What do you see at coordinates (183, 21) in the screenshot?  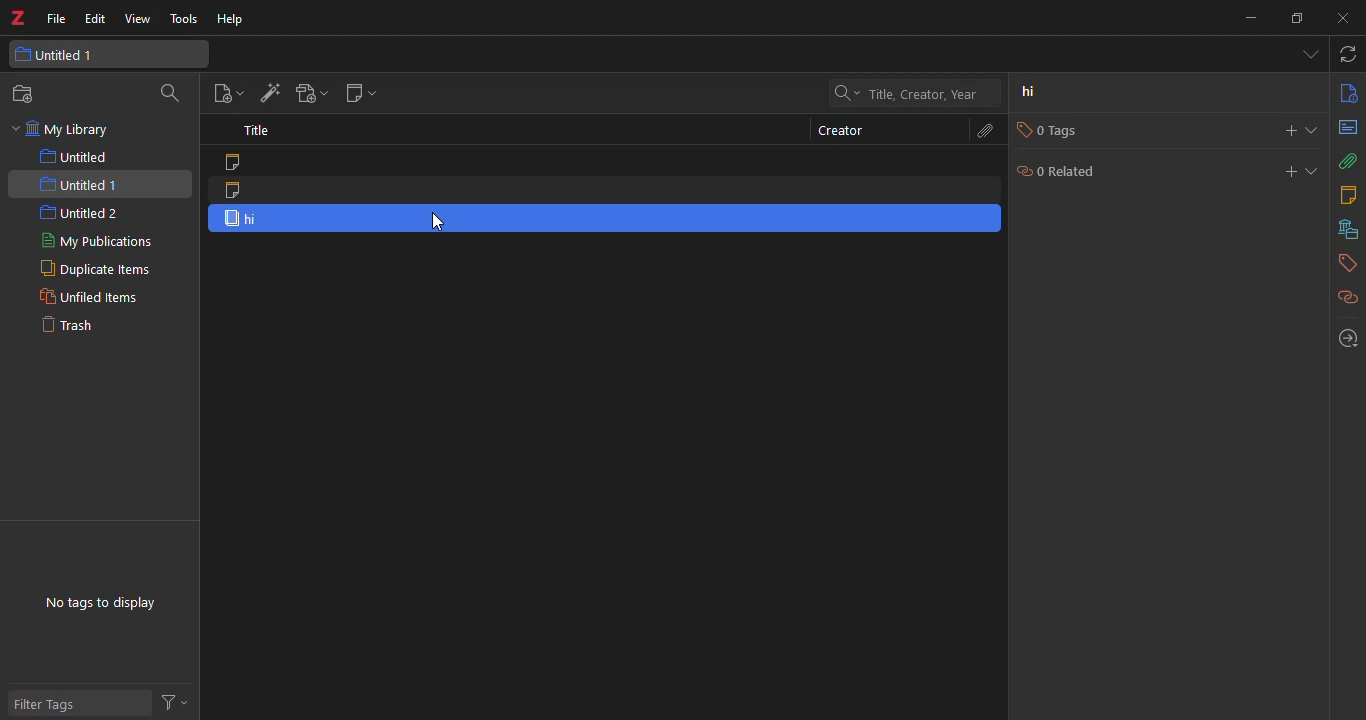 I see `tools` at bounding box center [183, 21].